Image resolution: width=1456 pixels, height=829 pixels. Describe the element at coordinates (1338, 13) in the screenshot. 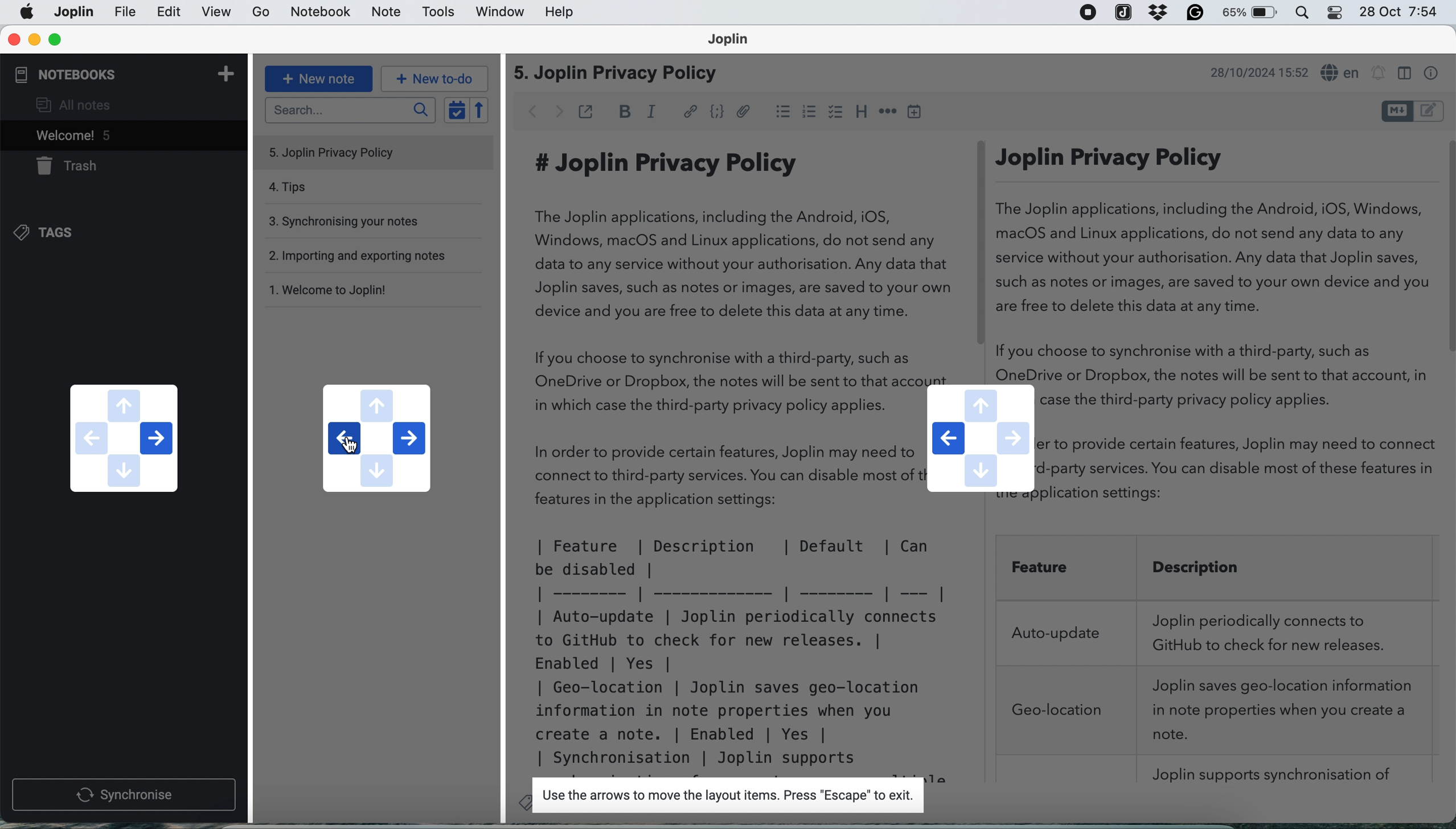

I see `control center` at that location.